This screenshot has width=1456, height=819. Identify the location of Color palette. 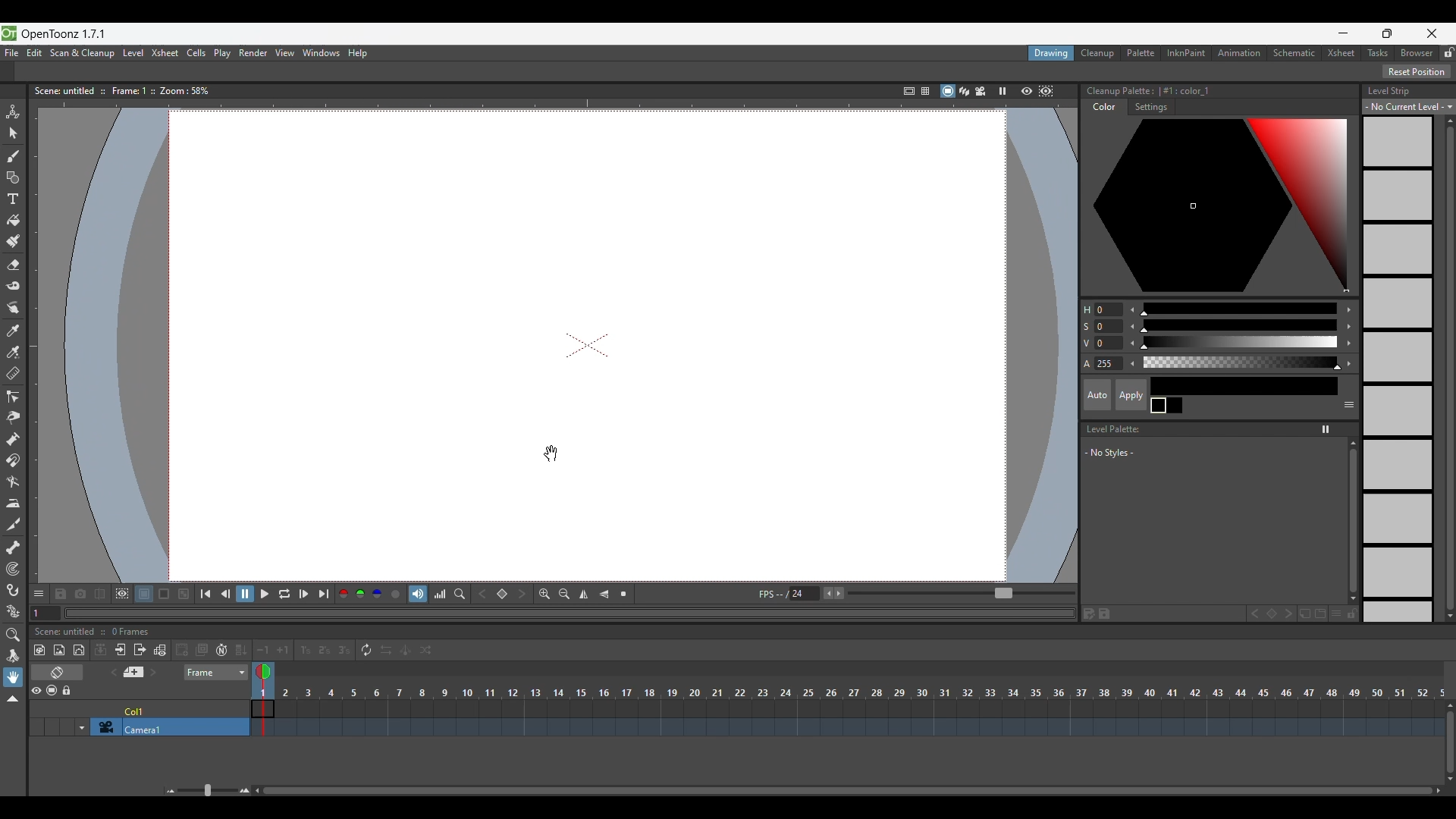
(1216, 206).